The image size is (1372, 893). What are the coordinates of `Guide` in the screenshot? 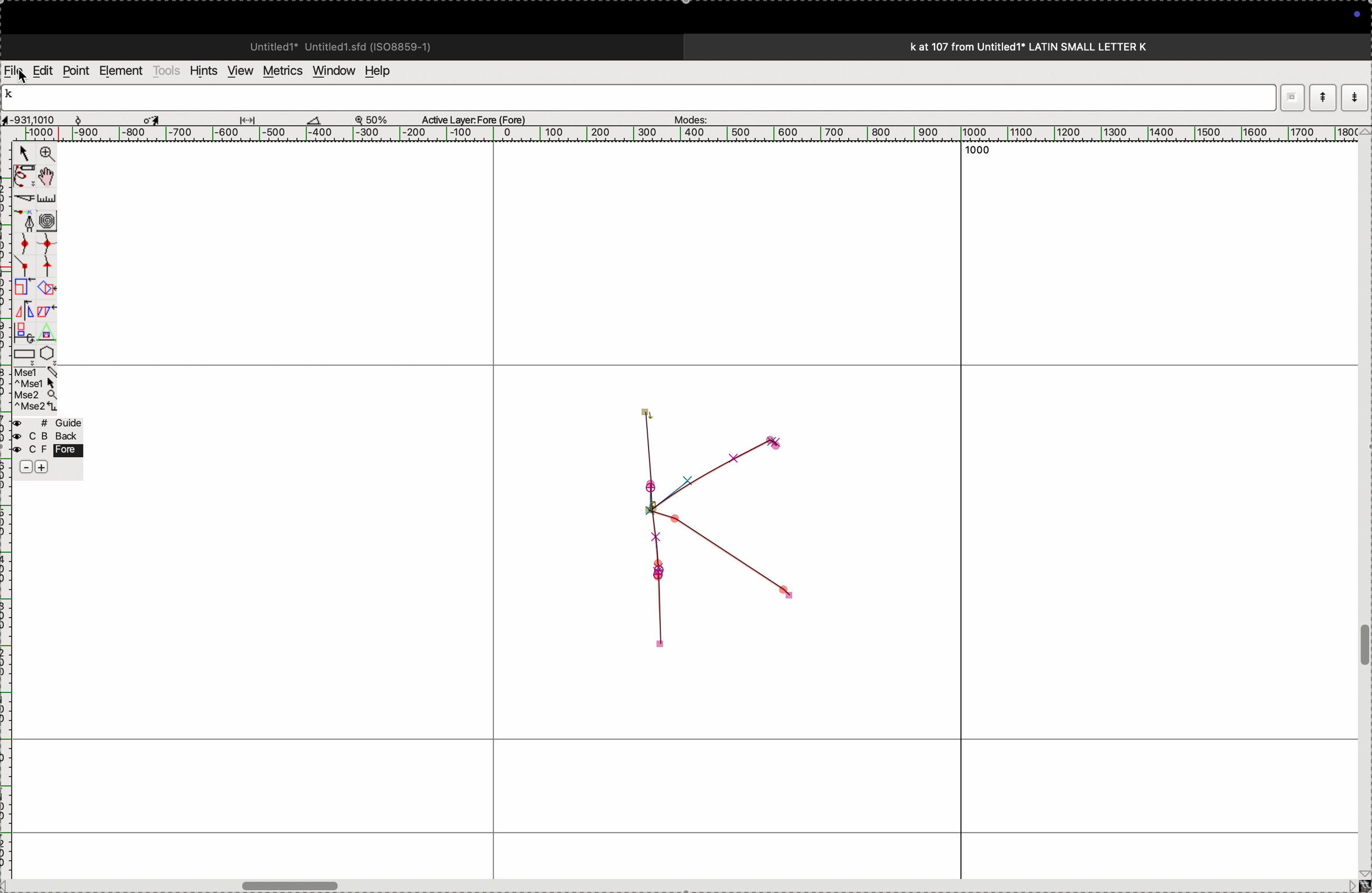 It's located at (47, 446).